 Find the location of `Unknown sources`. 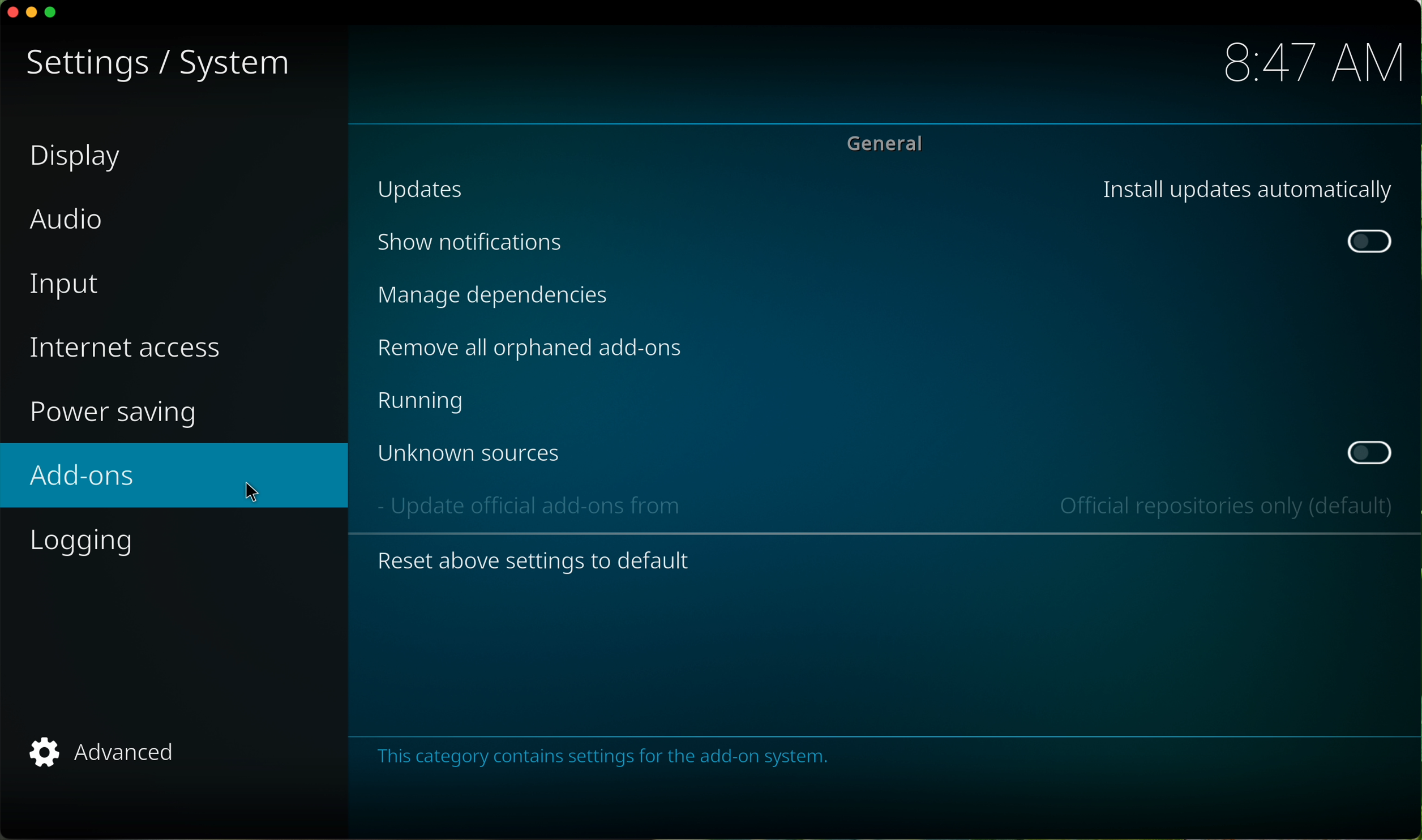

Unknown sources is located at coordinates (890, 458).